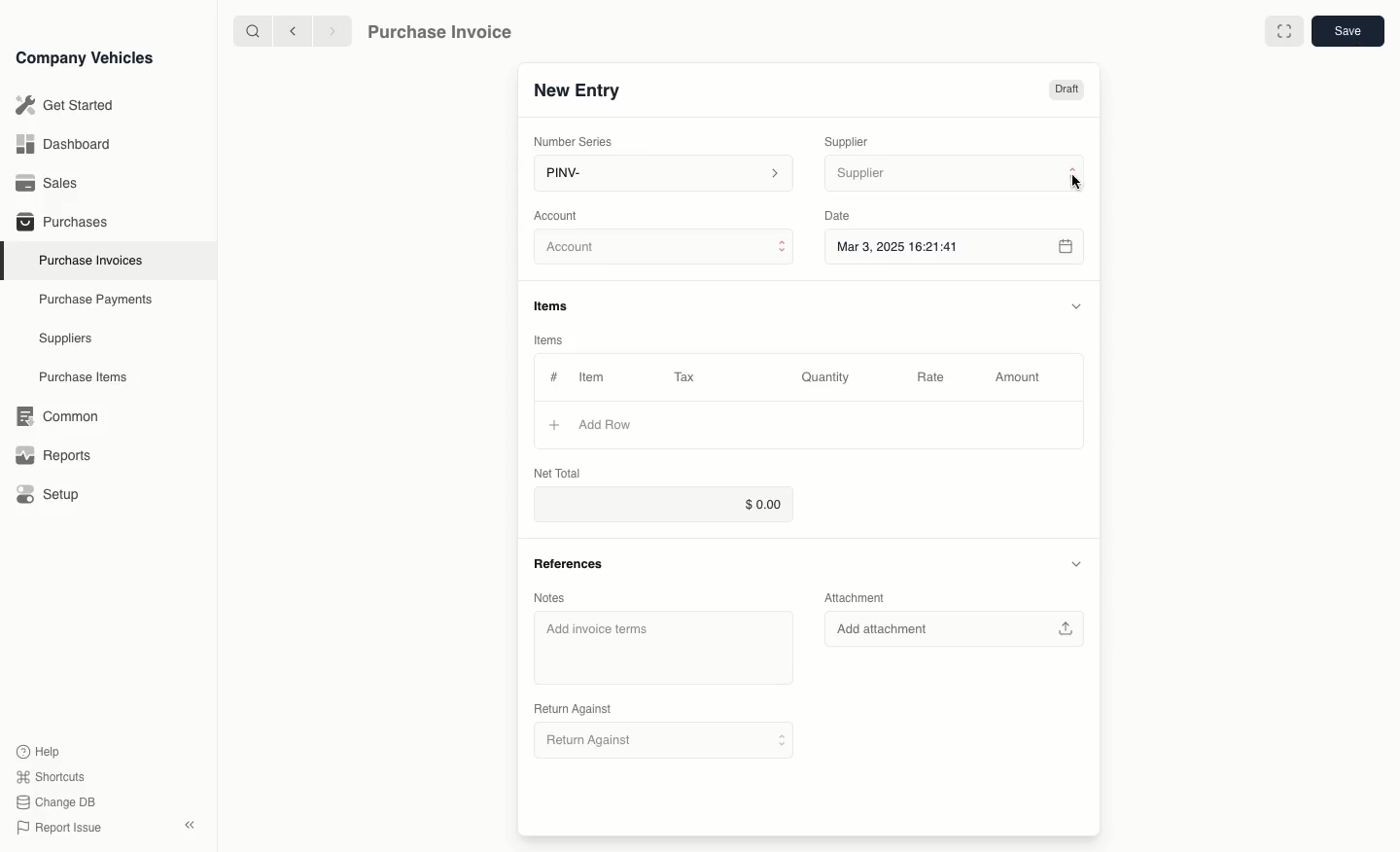  What do you see at coordinates (663, 740) in the screenshot?
I see `Return Against` at bounding box center [663, 740].